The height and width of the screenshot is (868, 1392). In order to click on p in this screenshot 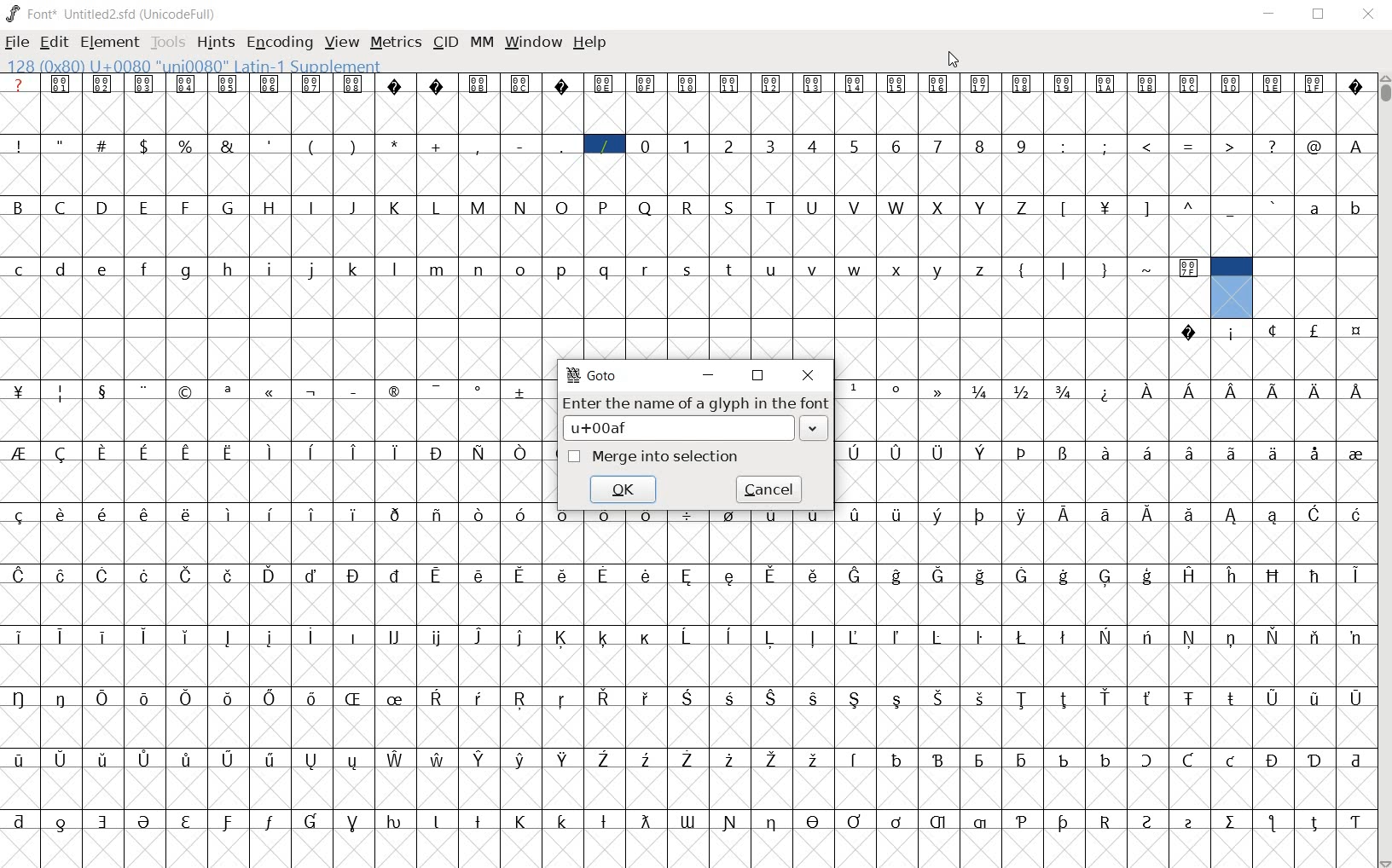, I will do `click(563, 269)`.